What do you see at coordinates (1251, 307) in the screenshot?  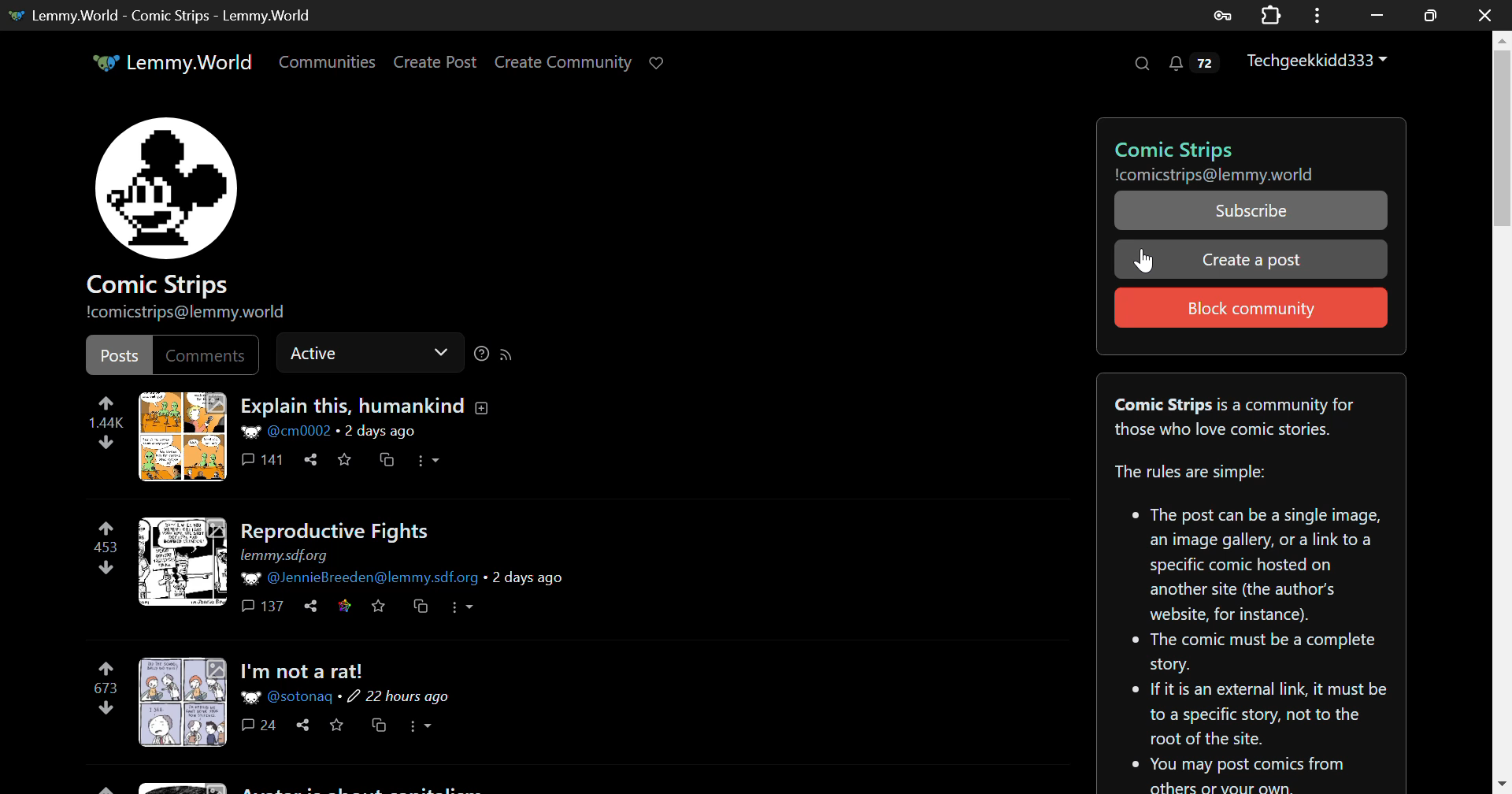 I see `Block community` at bounding box center [1251, 307].